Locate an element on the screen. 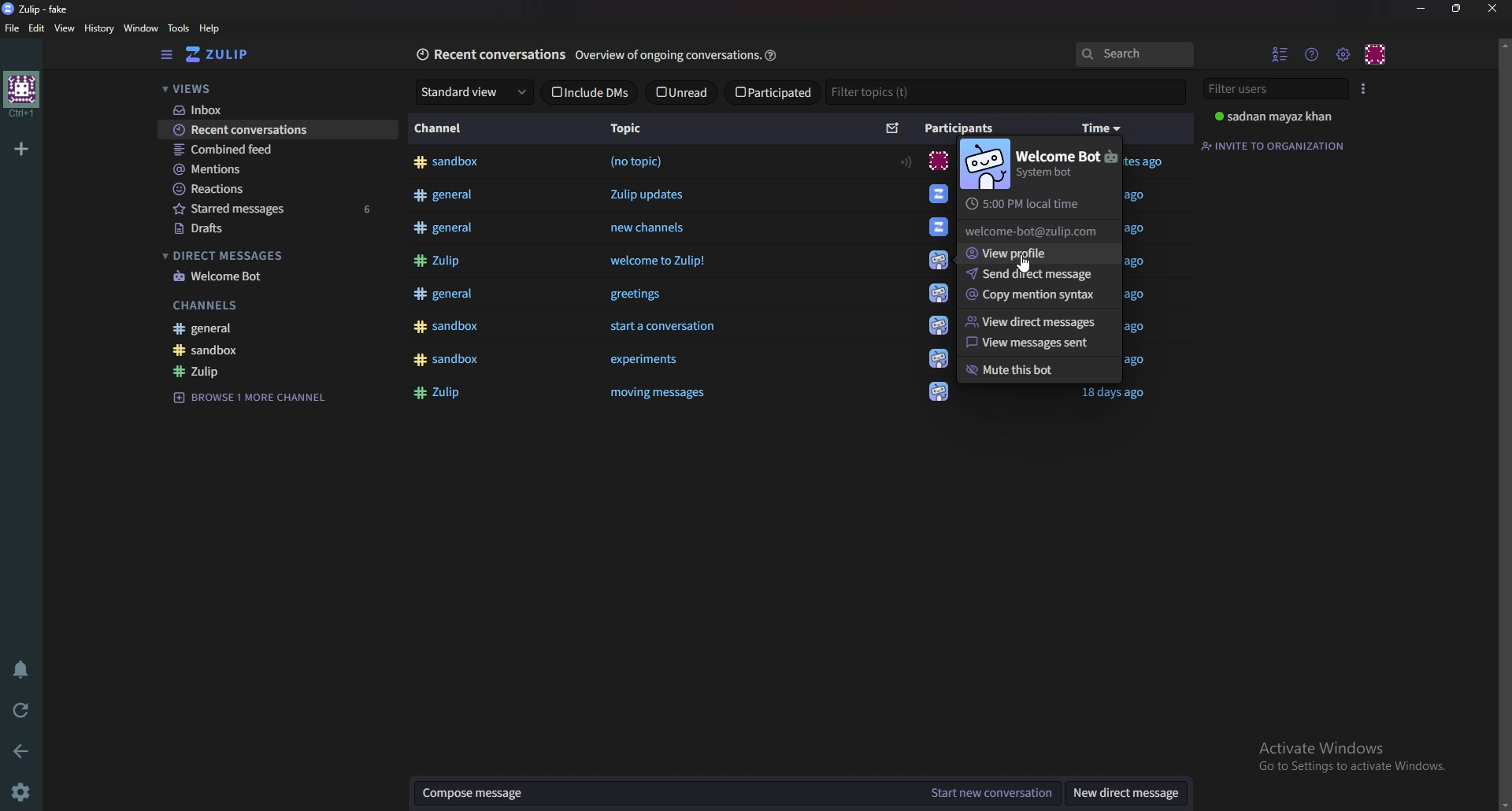 The height and width of the screenshot is (811, 1512).  is located at coordinates (438, 261).